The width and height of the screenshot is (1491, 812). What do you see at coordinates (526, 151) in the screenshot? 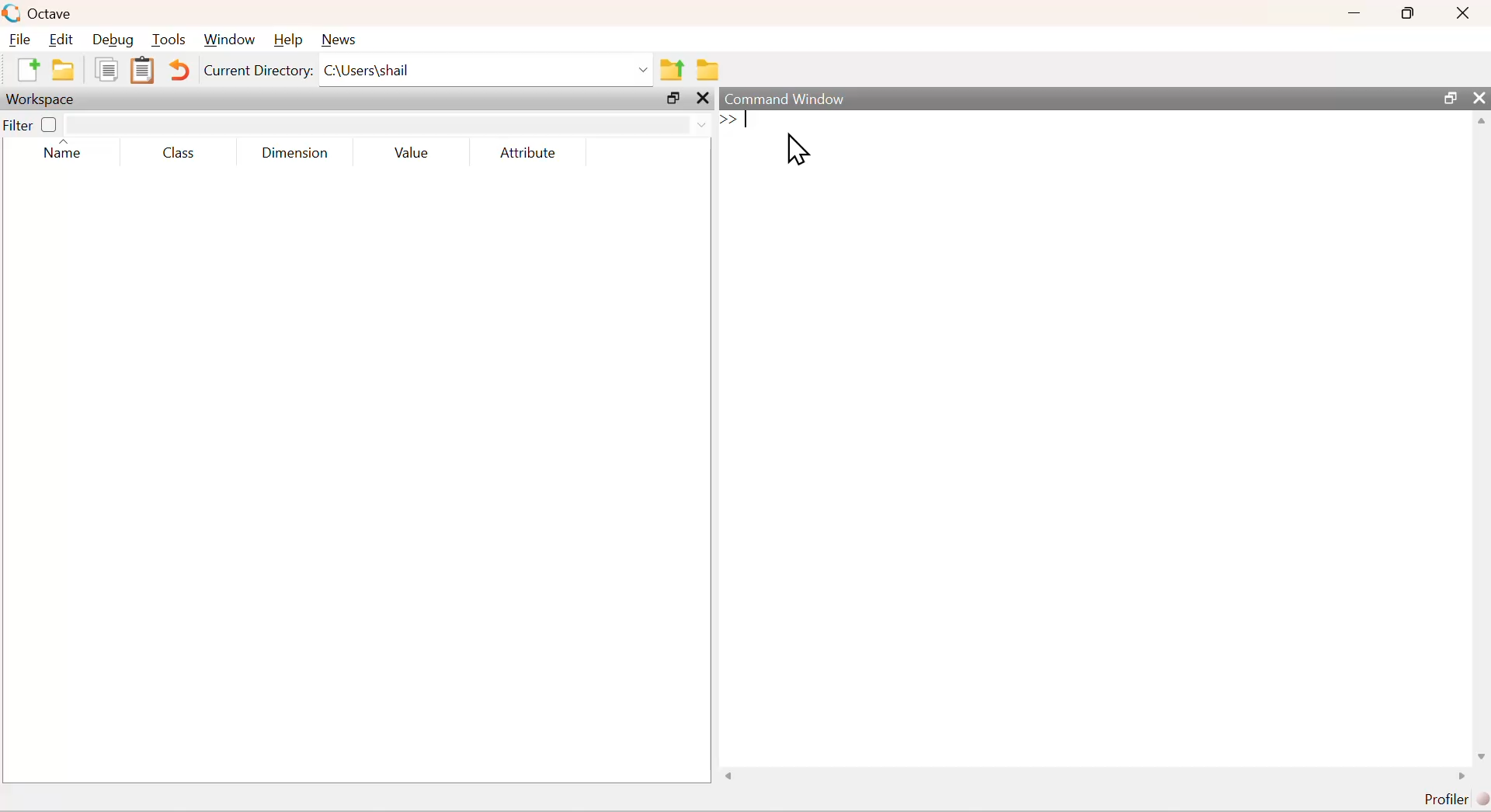
I see `Attribute` at bounding box center [526, 151].